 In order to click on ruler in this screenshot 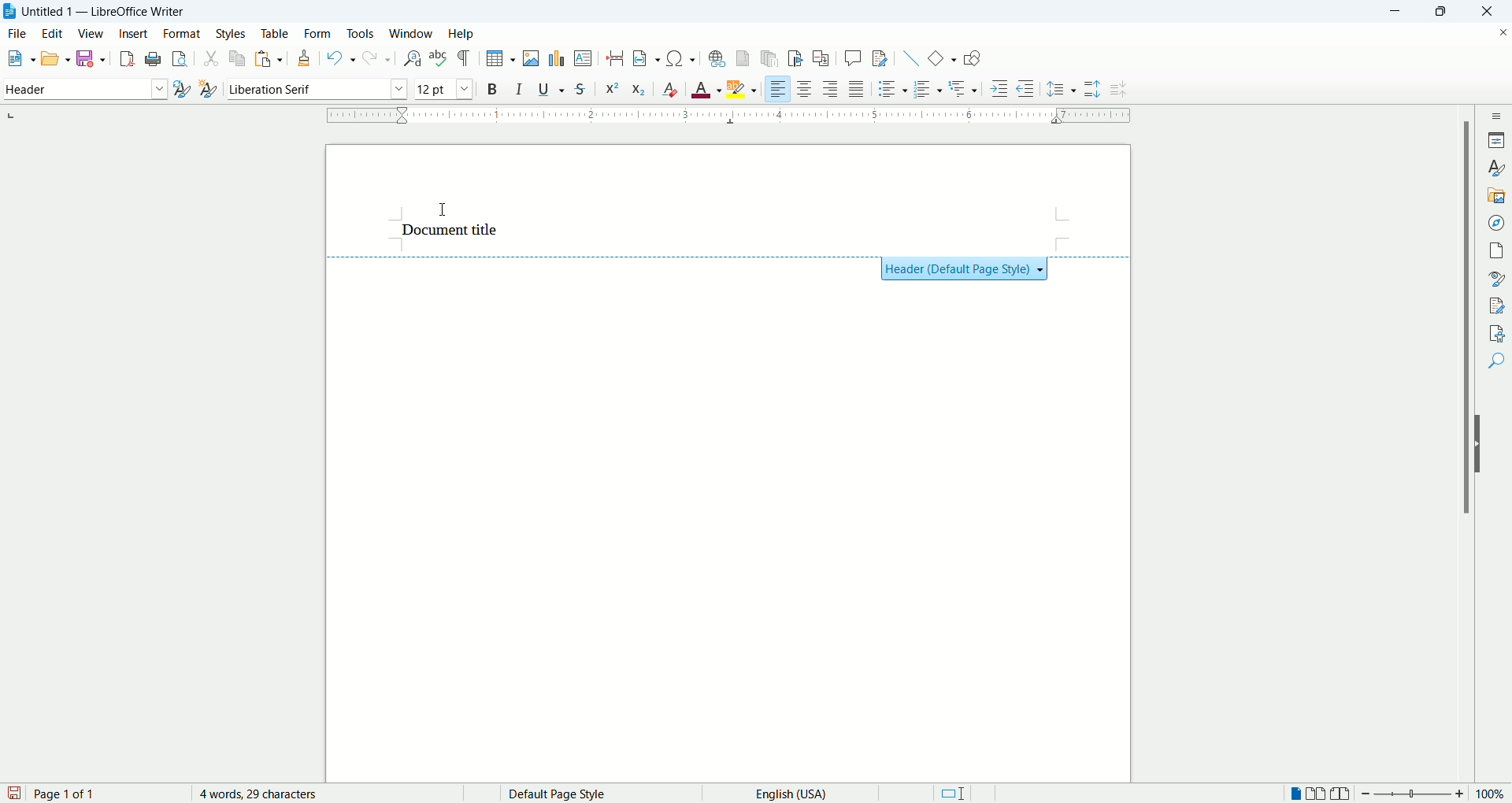, I will do `click(722, 116)`.